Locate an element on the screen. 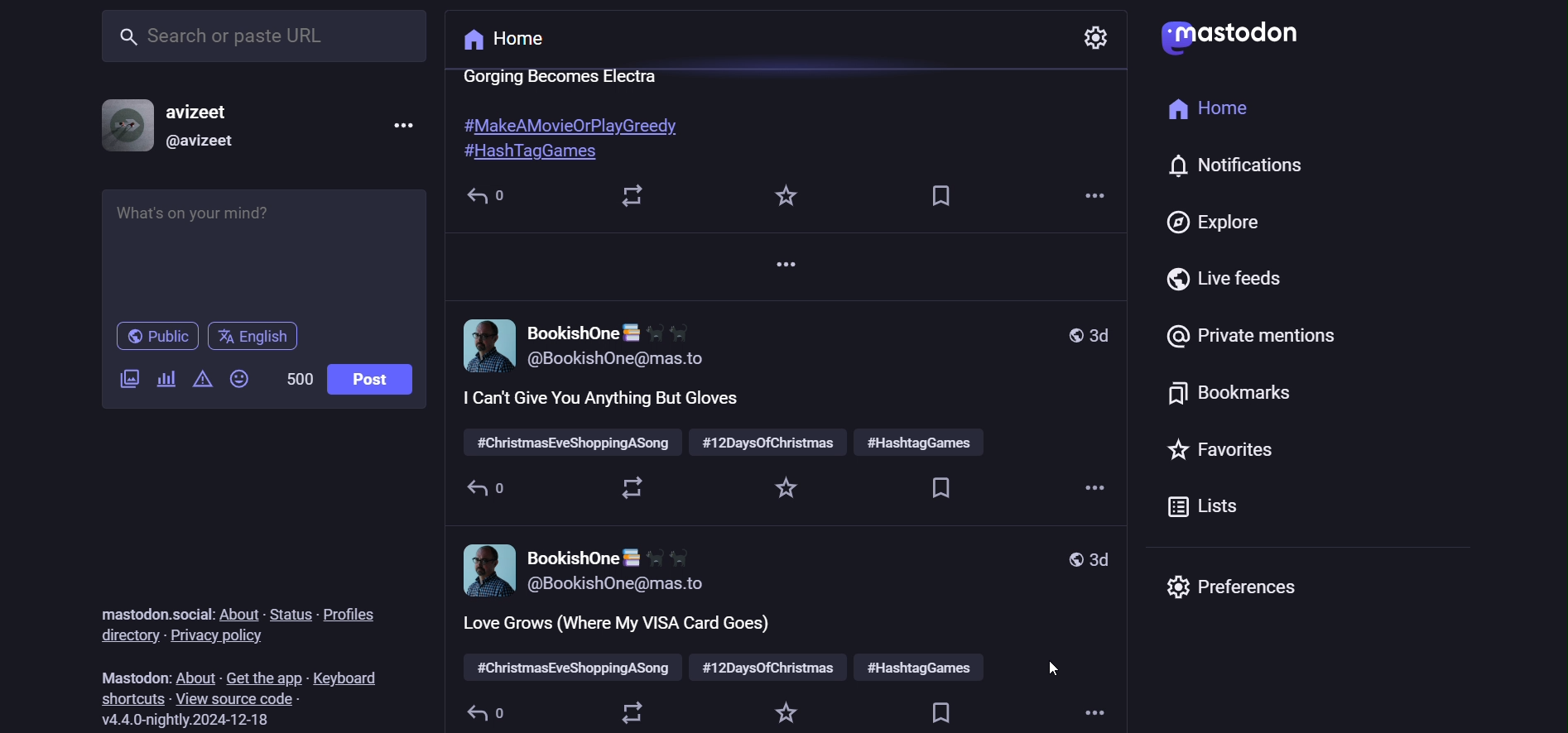  reply is located at coordinates (480, 712).